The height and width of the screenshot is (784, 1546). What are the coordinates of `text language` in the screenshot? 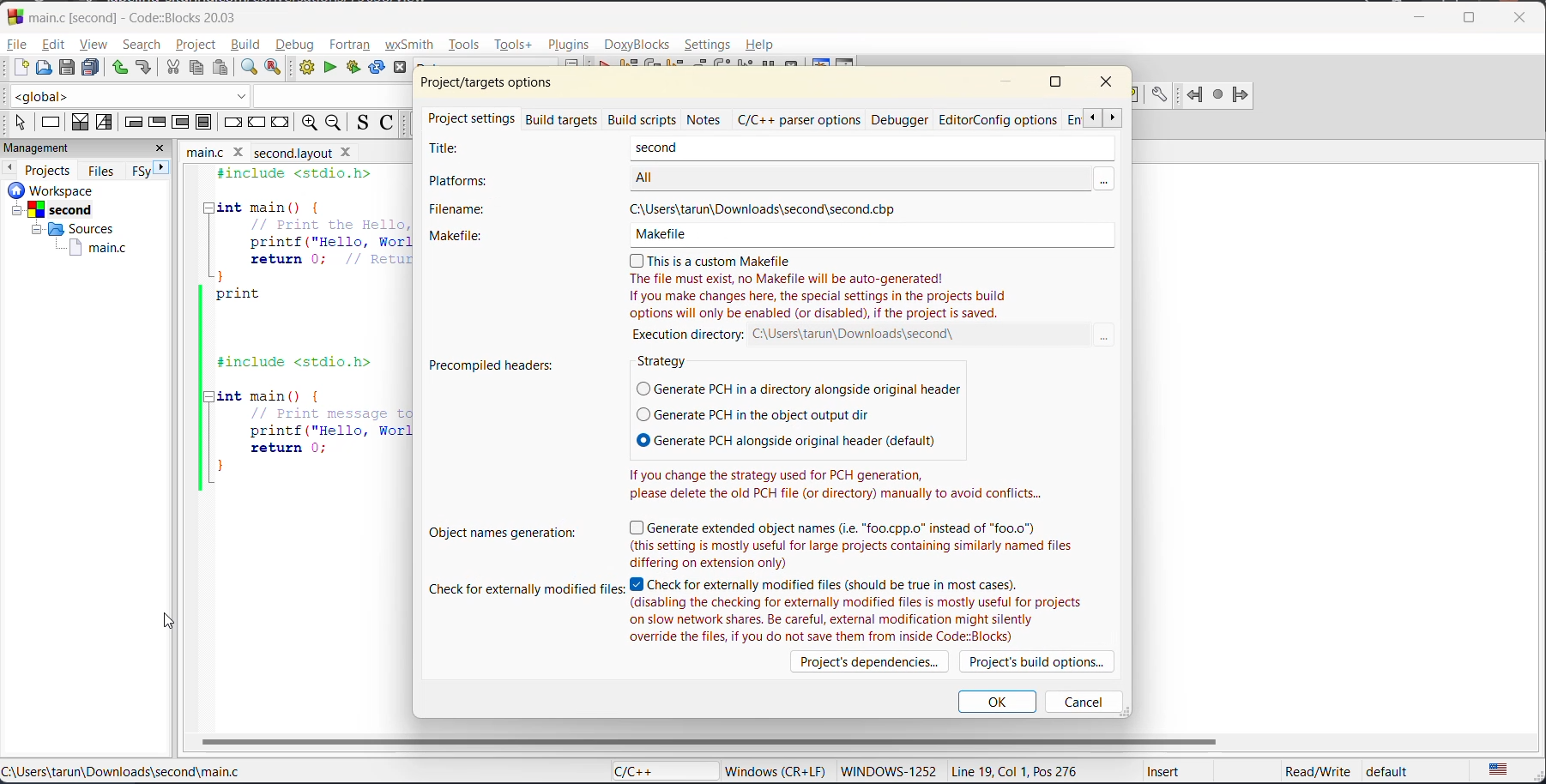 It's located at (1497, 770).